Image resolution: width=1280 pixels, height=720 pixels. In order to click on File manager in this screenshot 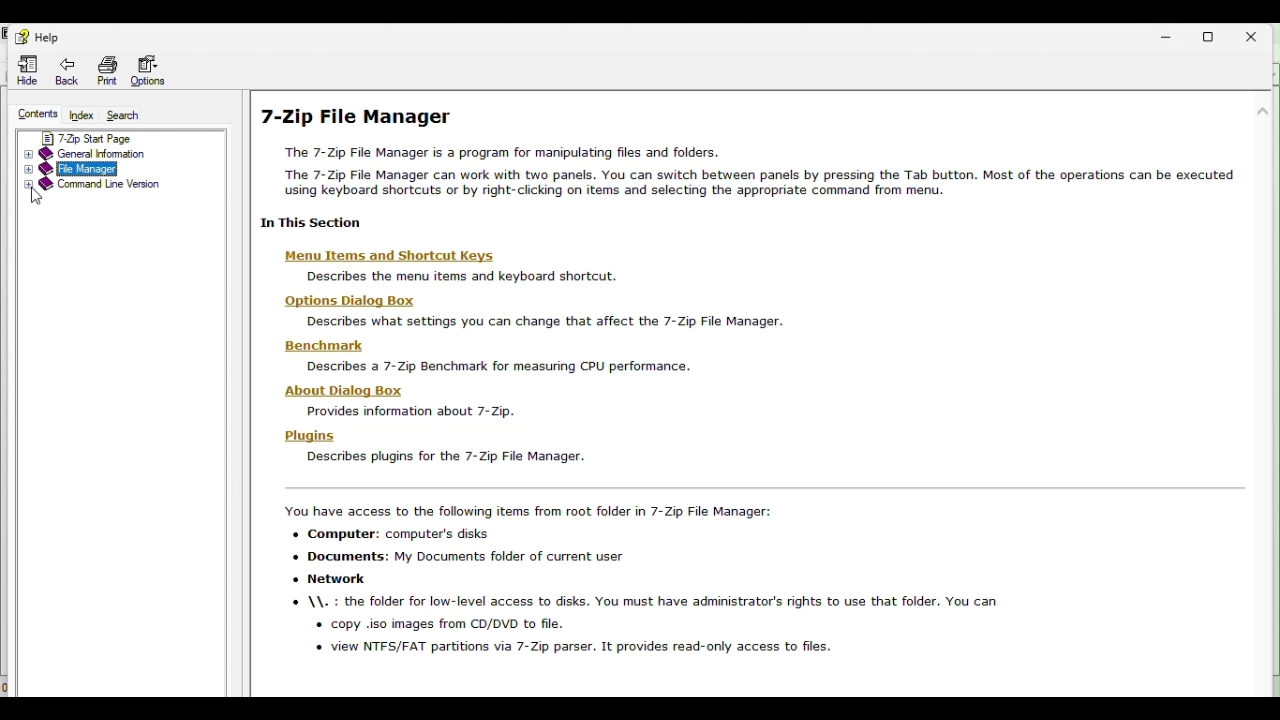, I will do `click(102, 170)`.